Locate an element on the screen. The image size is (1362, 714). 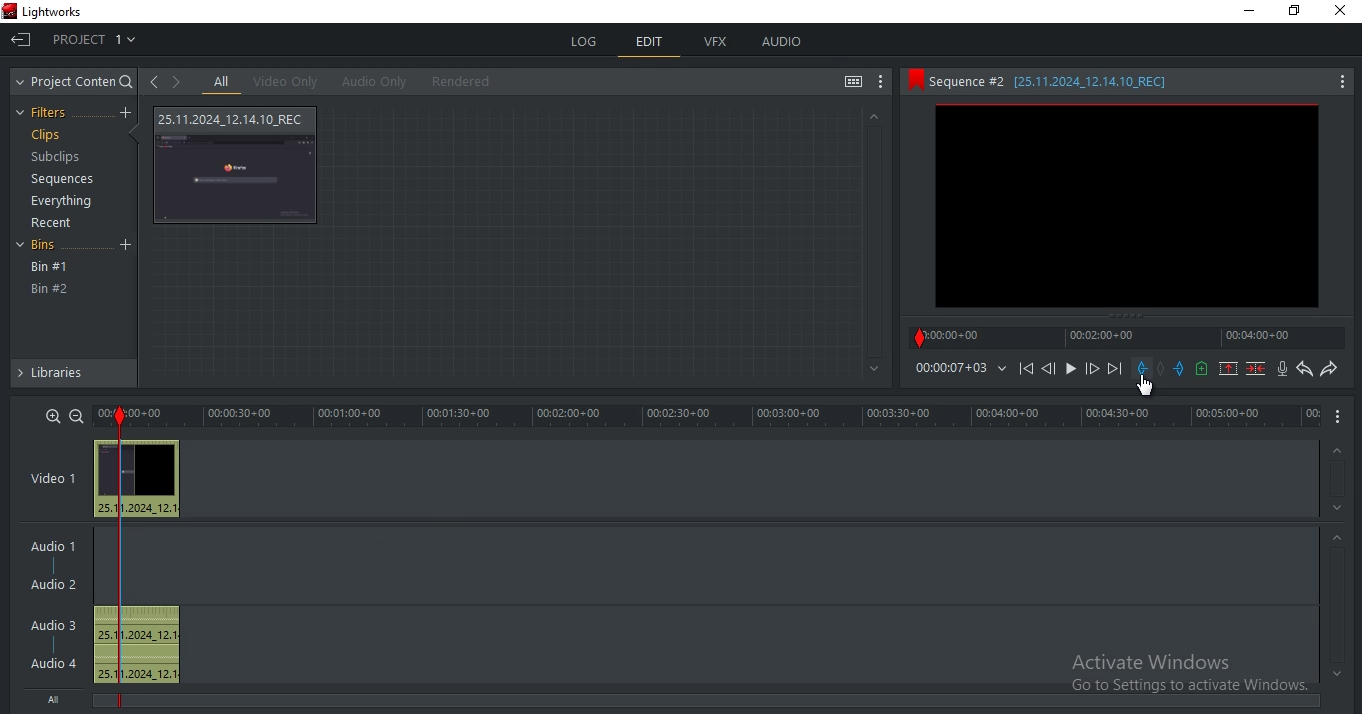
Play is located at coordinates (1071, 368).